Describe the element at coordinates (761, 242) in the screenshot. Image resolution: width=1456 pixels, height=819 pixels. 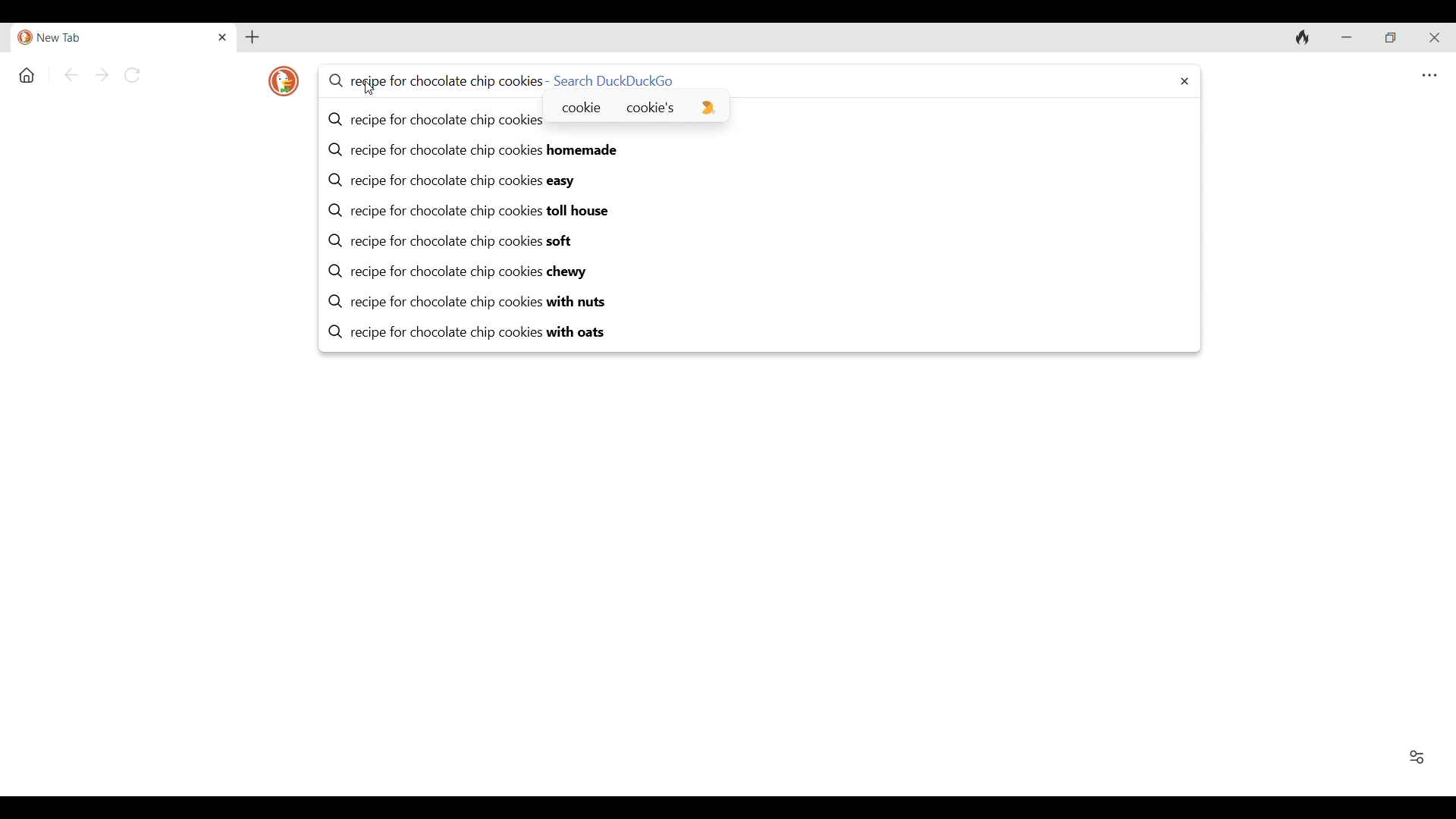
I see `Q recipe for chocolate chip cookies soft` at that location.